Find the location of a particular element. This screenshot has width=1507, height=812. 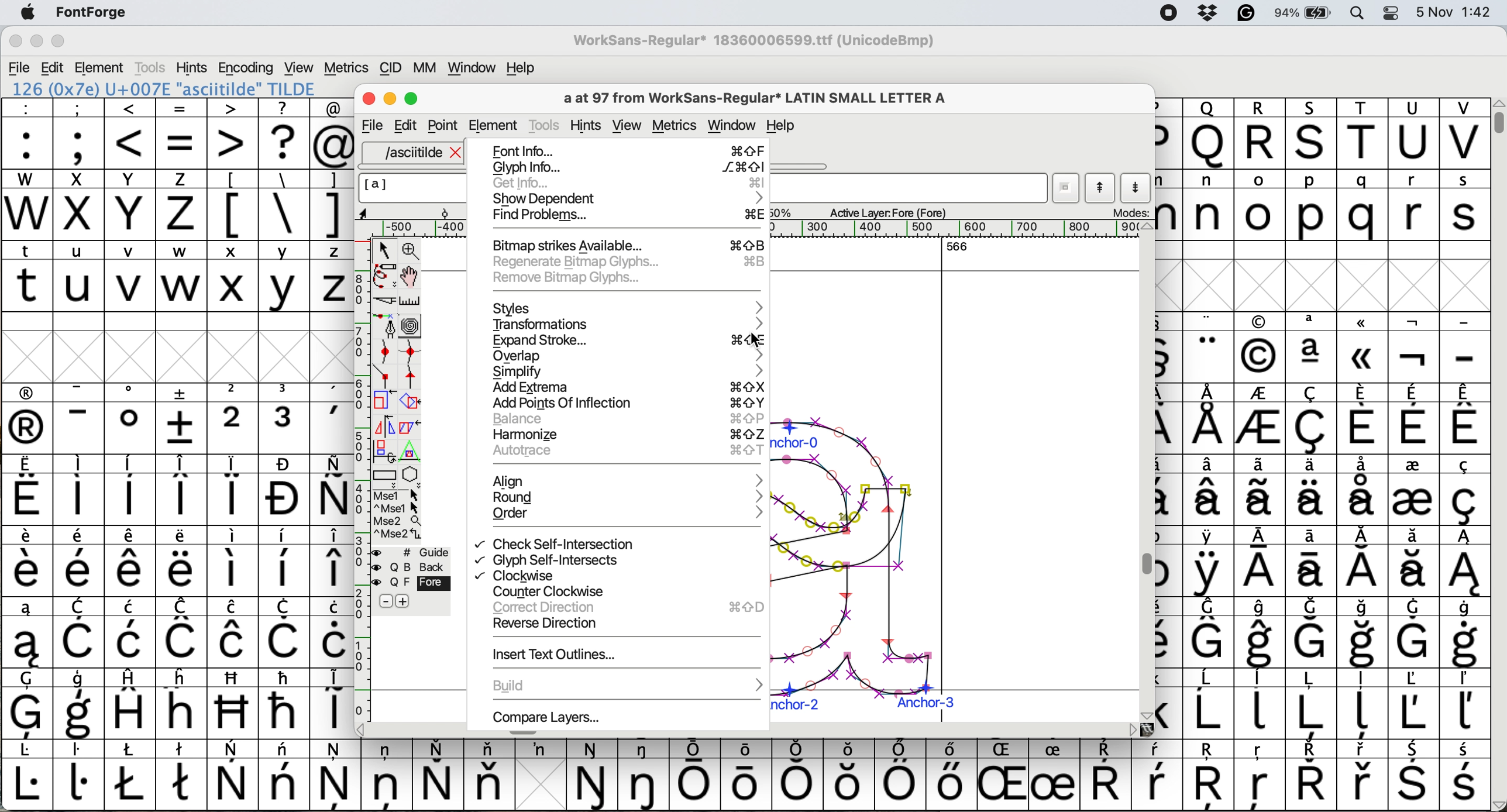

p is located at coordinates (1312, 207).